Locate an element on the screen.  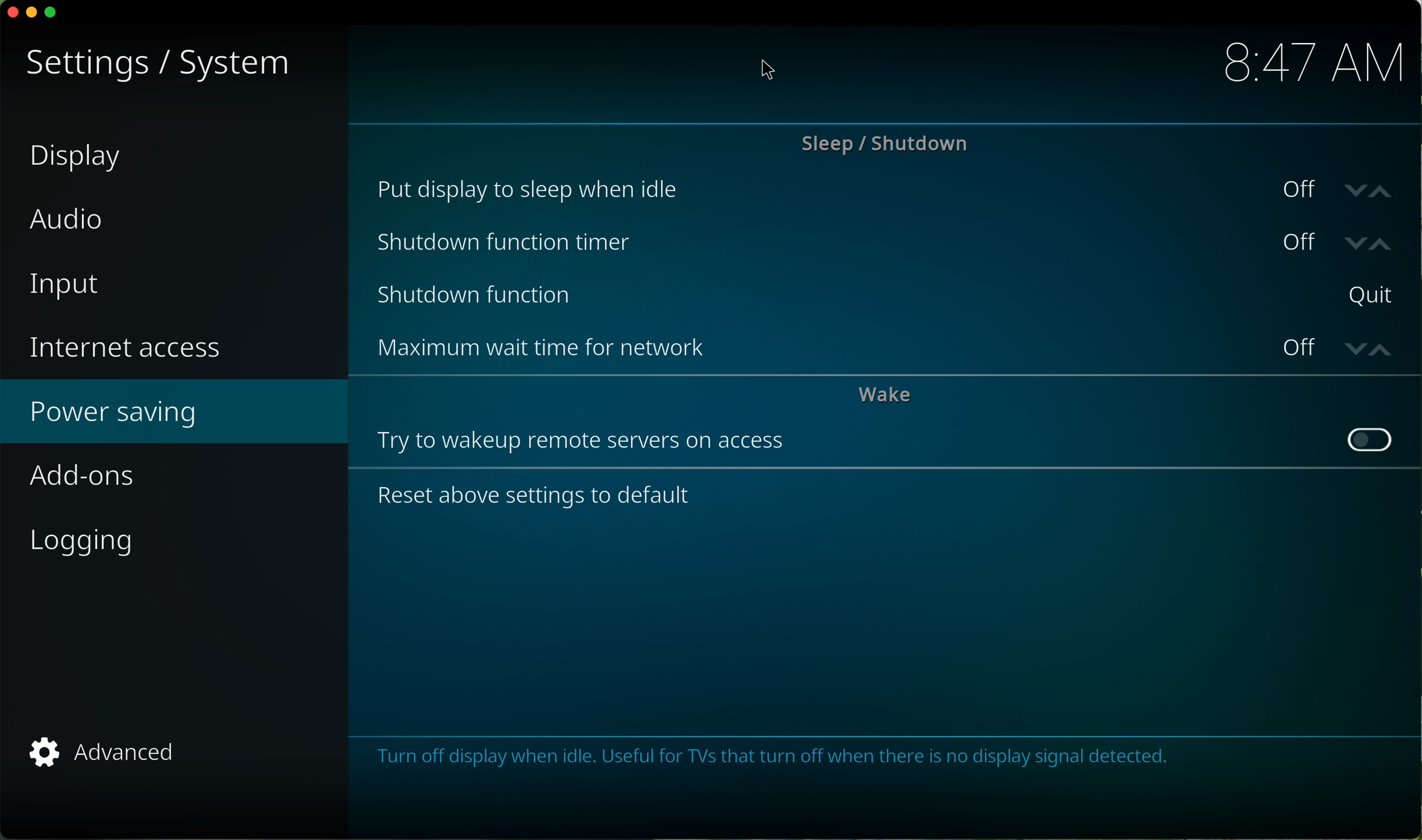
shutdown function timer is located at coordinates (505, 243).